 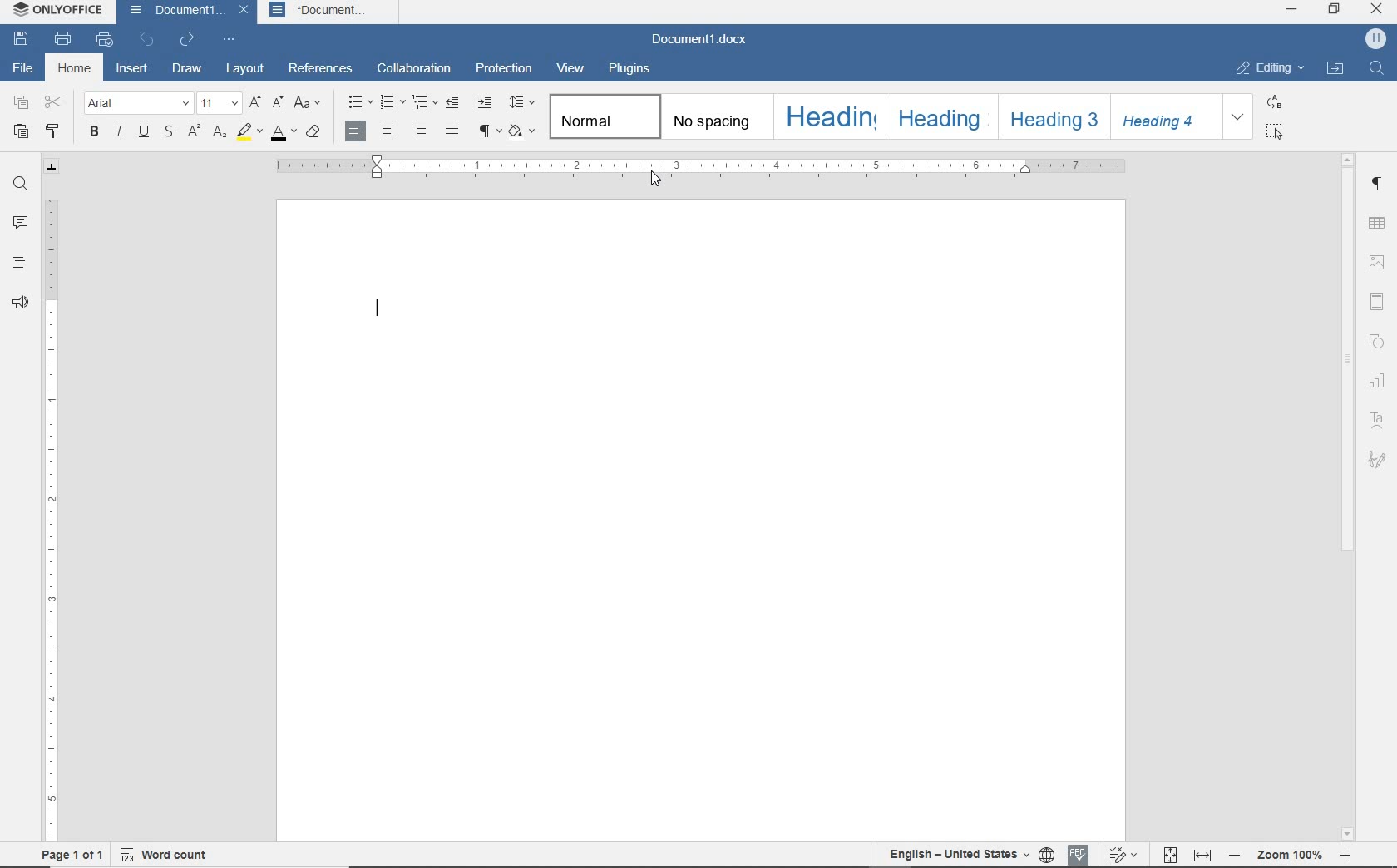 I want to click on zoom in, so click(x=1349, y=856).